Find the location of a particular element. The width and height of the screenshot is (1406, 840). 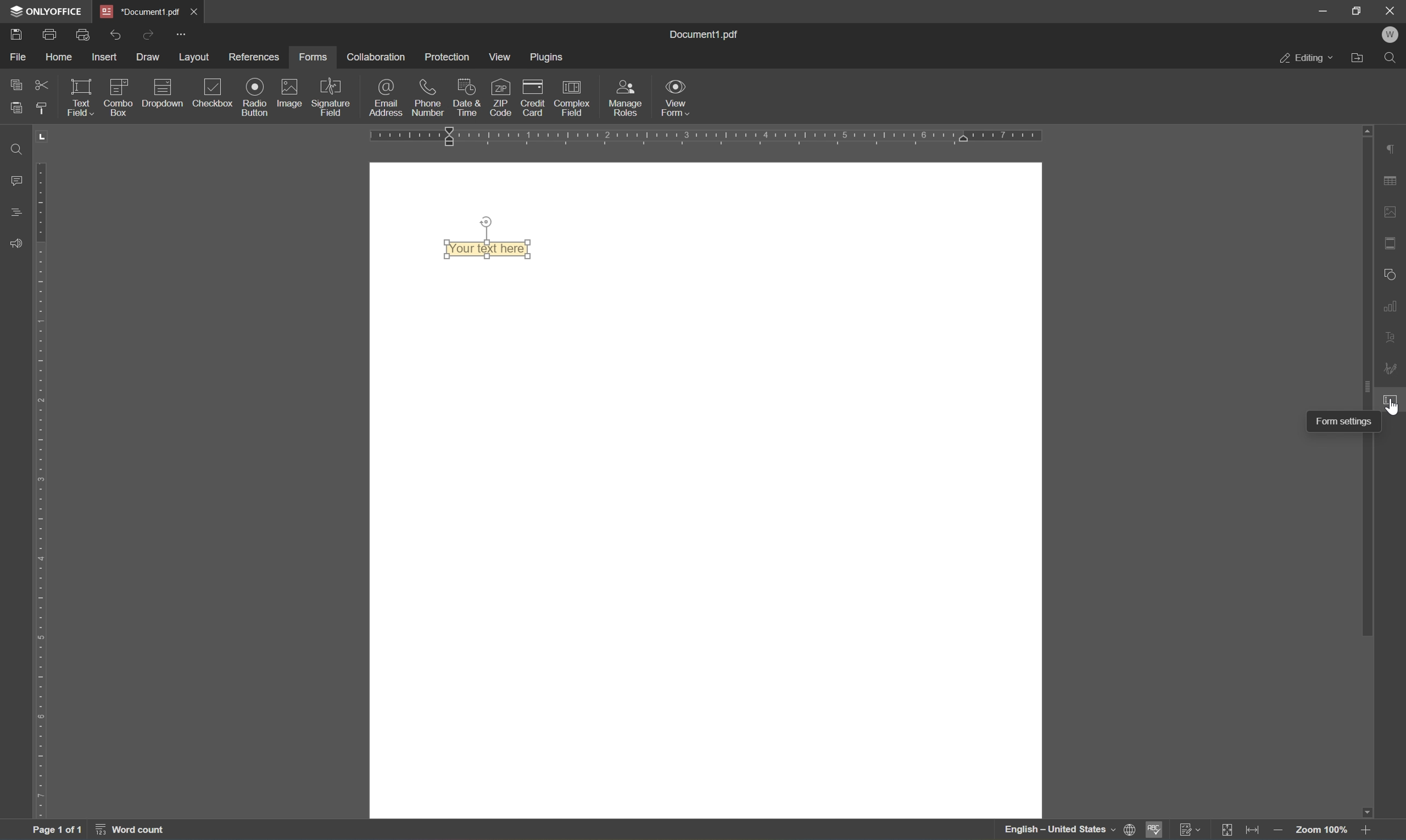

document1.pdf is located at coordinates (702, 35).